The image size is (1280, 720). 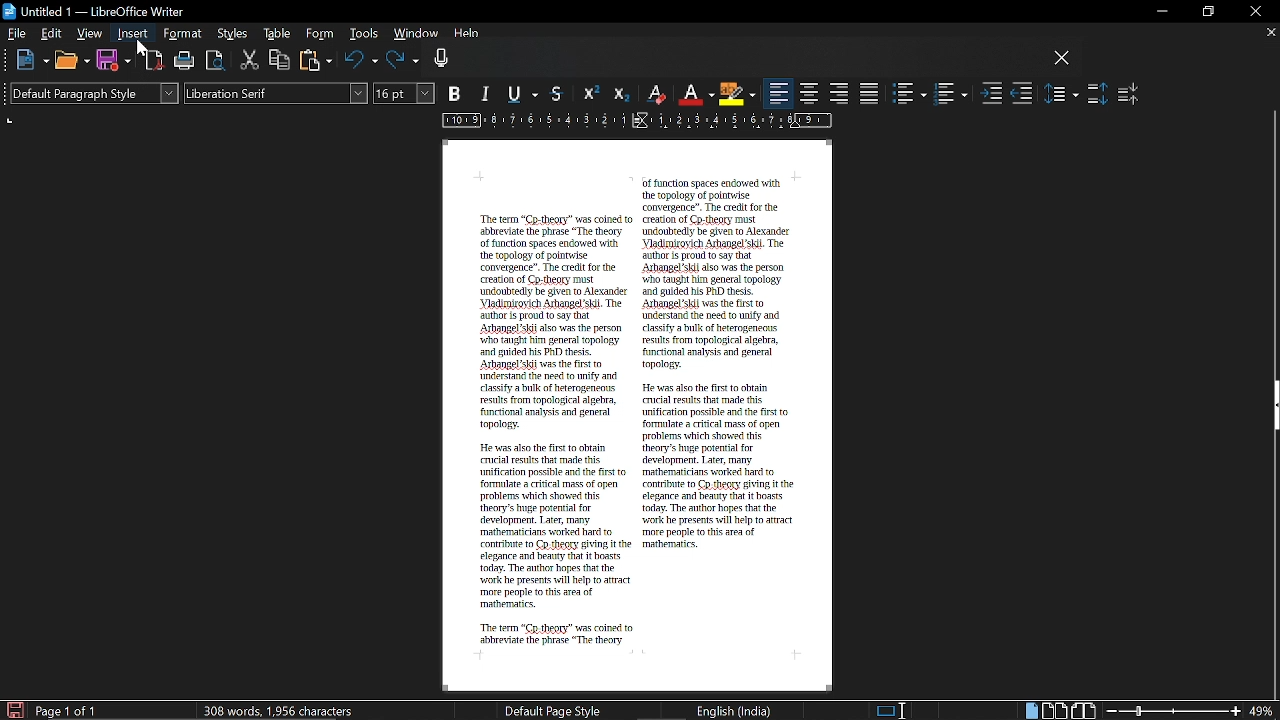 I want to click on Toggle print preview, so click(x=216, y=61).